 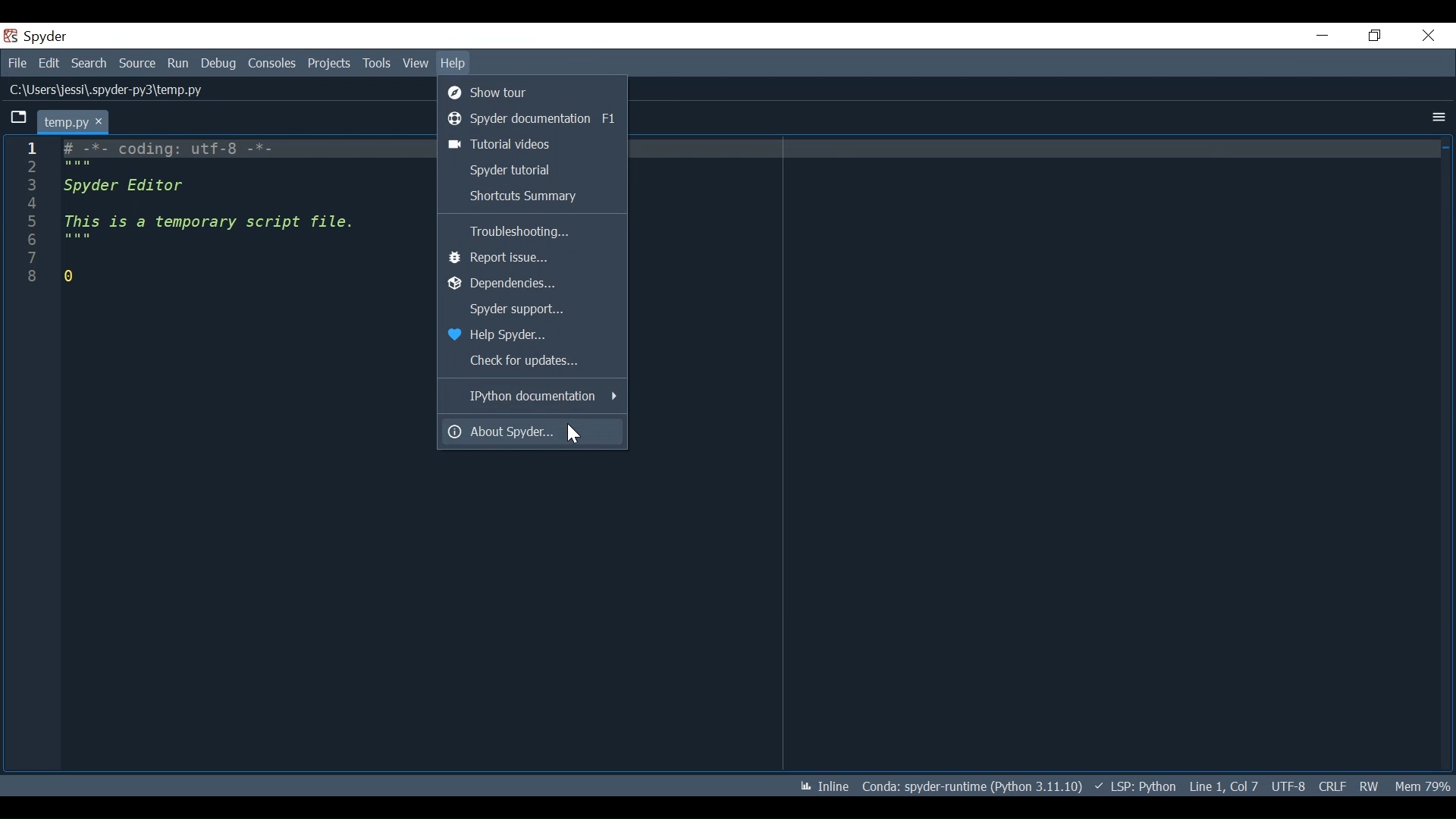 What do you see at coordinates (973, 789) in the screenshot?
I see `Conda: spyder-runtime (Python 3.11.10)` at bounding box center [973, 789].